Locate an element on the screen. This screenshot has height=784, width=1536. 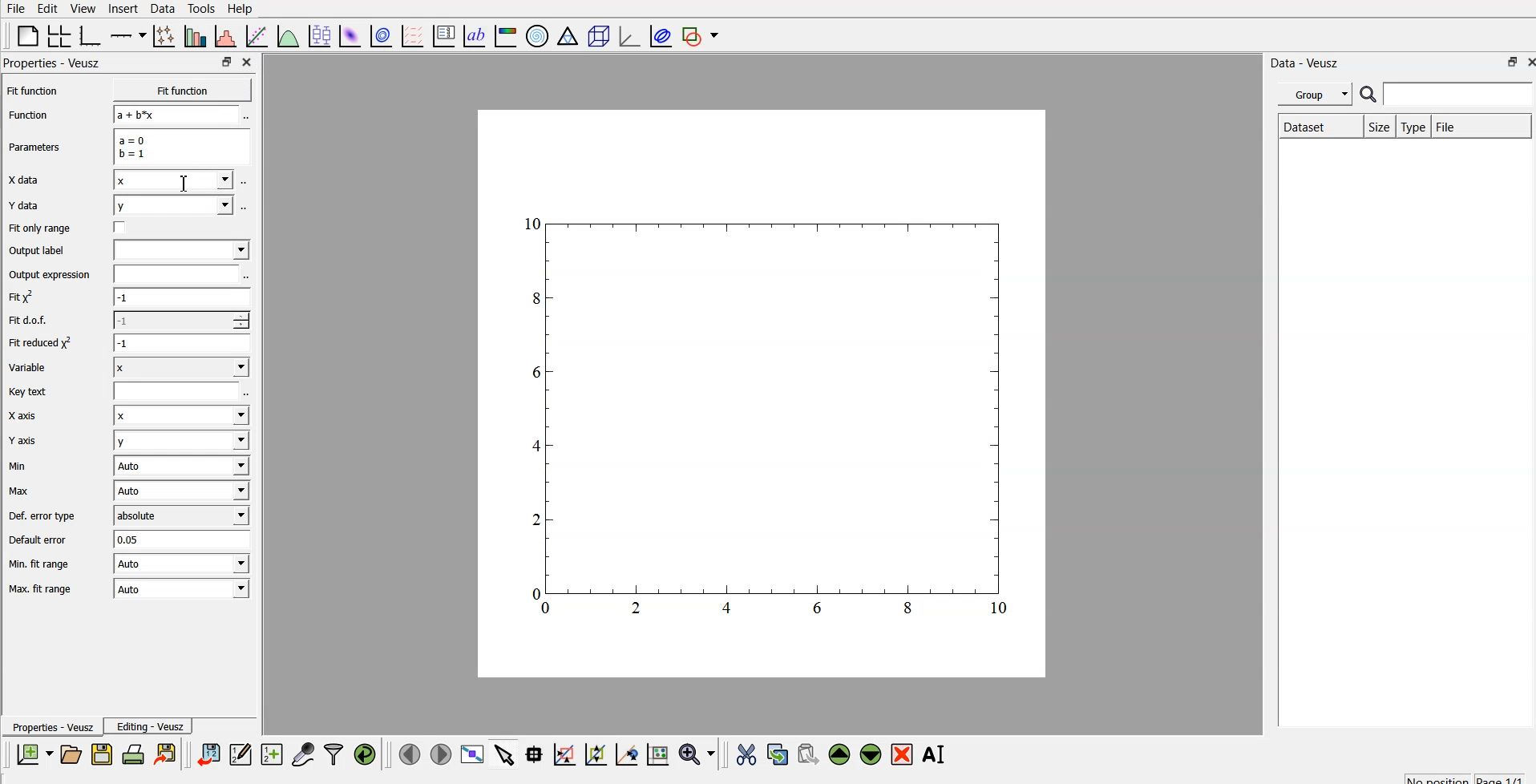
a+b is located at coordinates (175, 115).